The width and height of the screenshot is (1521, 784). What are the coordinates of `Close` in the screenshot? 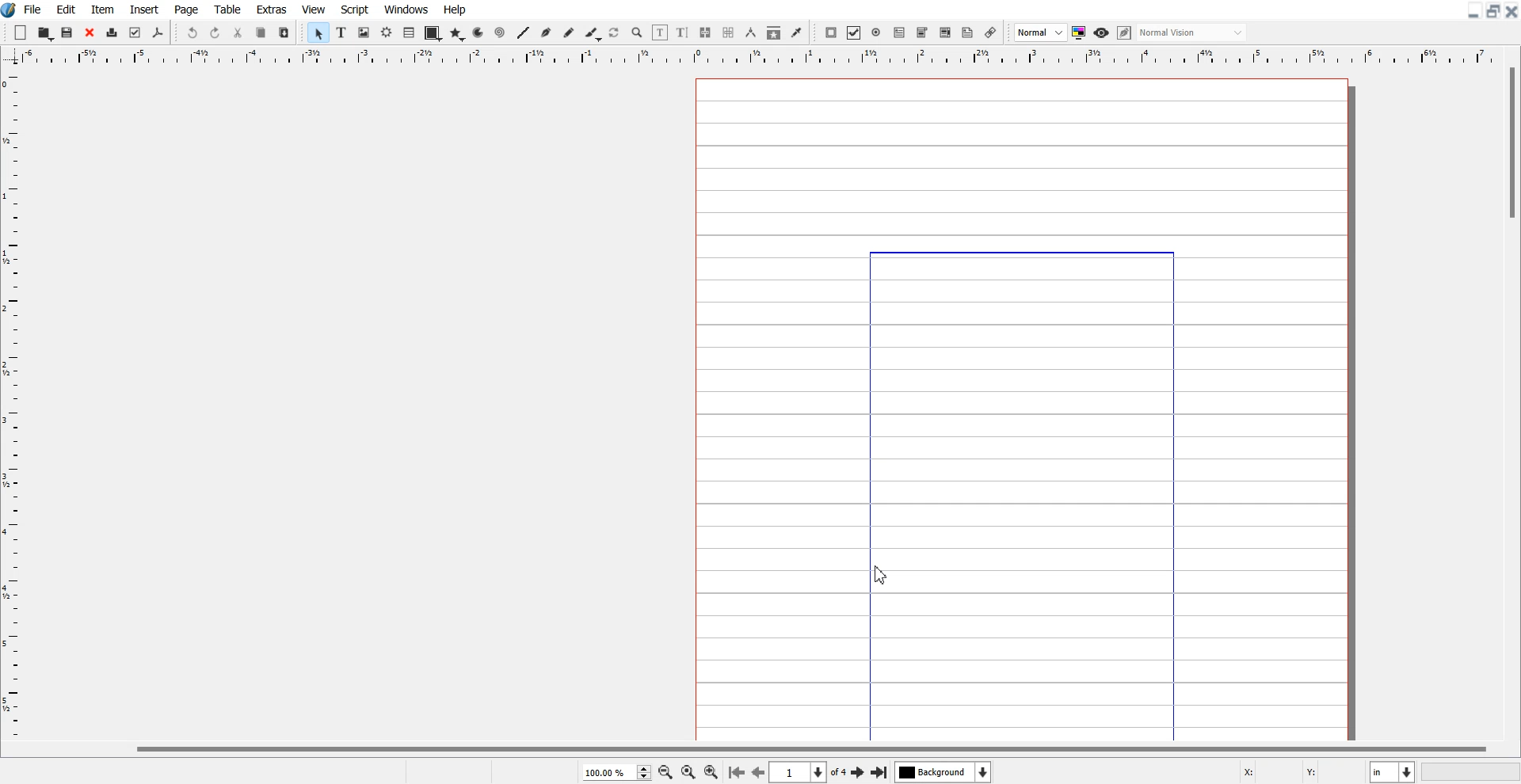 It's located at (1511, 10).